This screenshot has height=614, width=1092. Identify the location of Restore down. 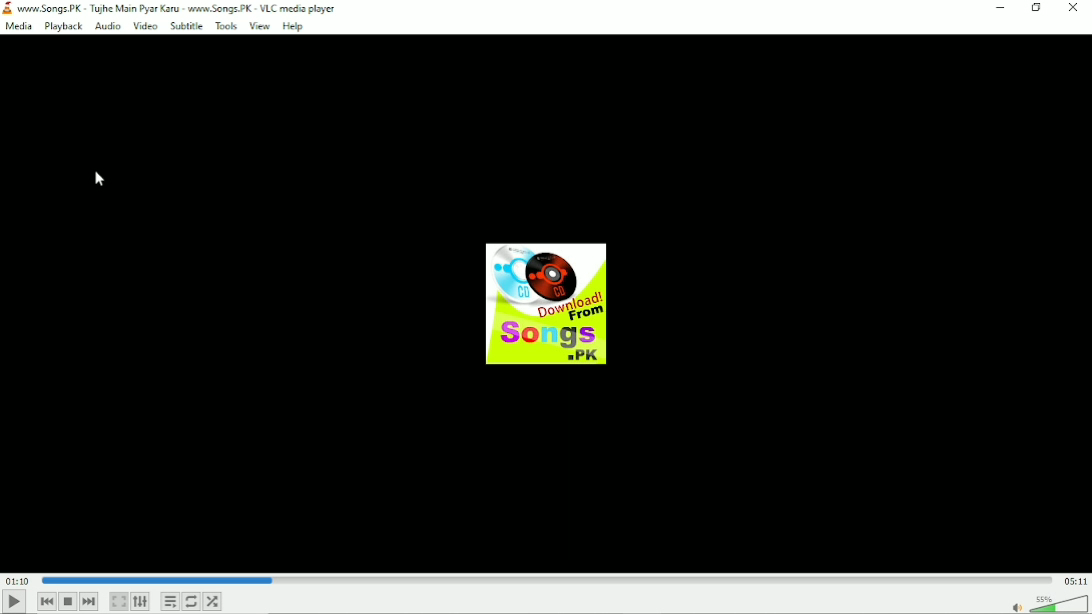
(1038, 8).